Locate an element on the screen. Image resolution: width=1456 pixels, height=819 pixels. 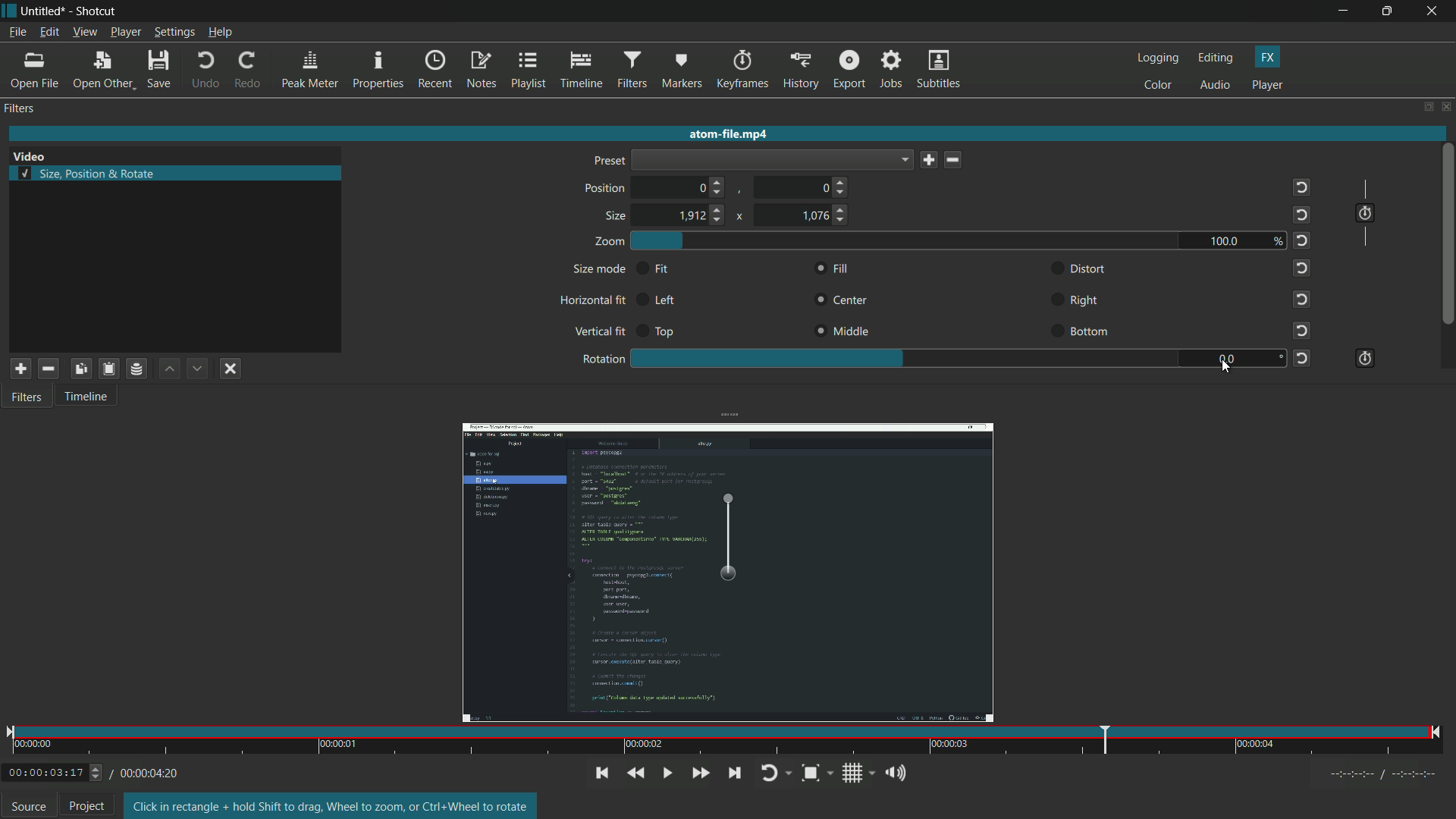
top is located at coordinates (663, 334).